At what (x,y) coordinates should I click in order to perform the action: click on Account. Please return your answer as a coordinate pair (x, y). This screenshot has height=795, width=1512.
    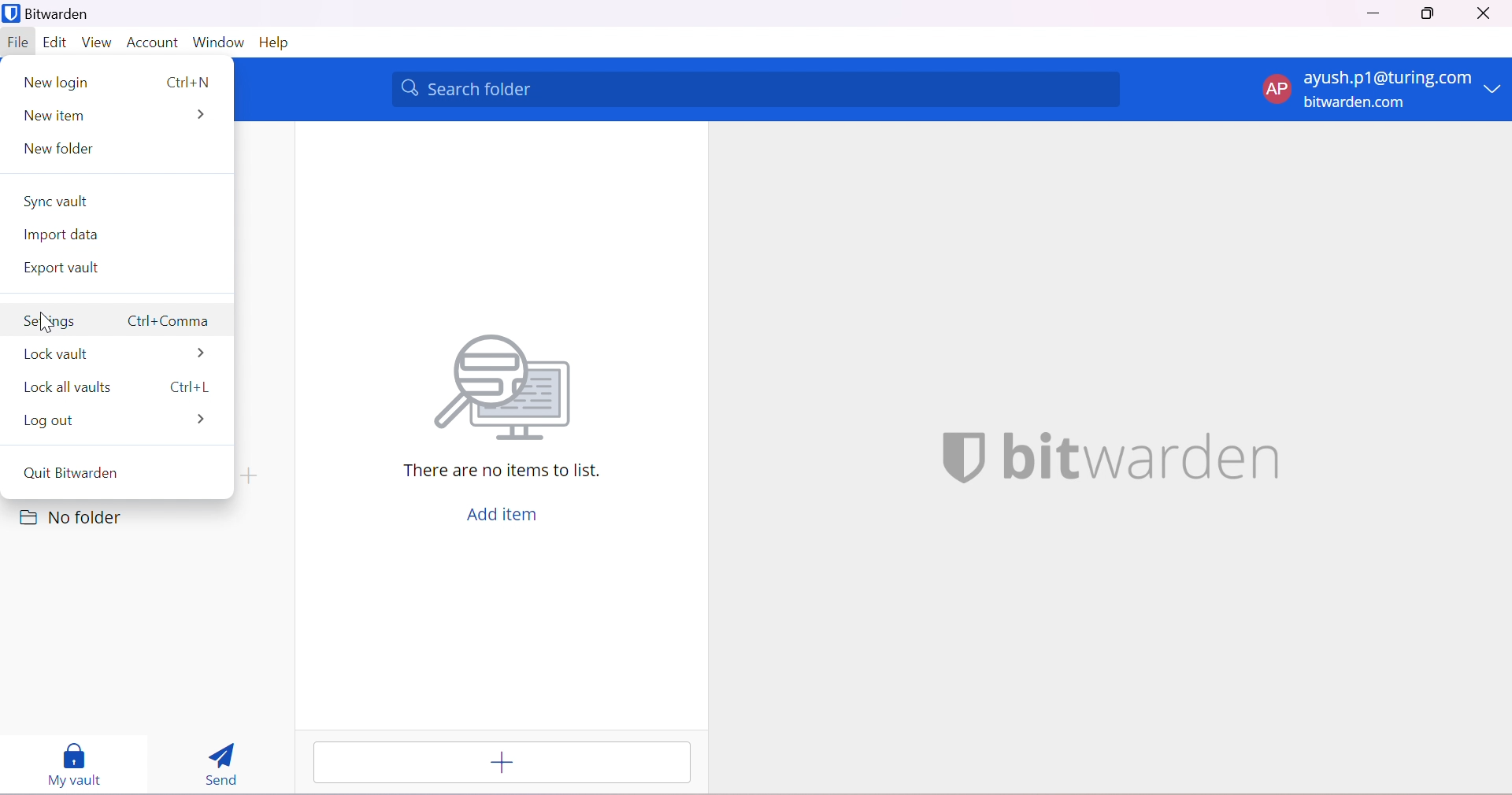
    Looking at the image, I should click on (154, 43).